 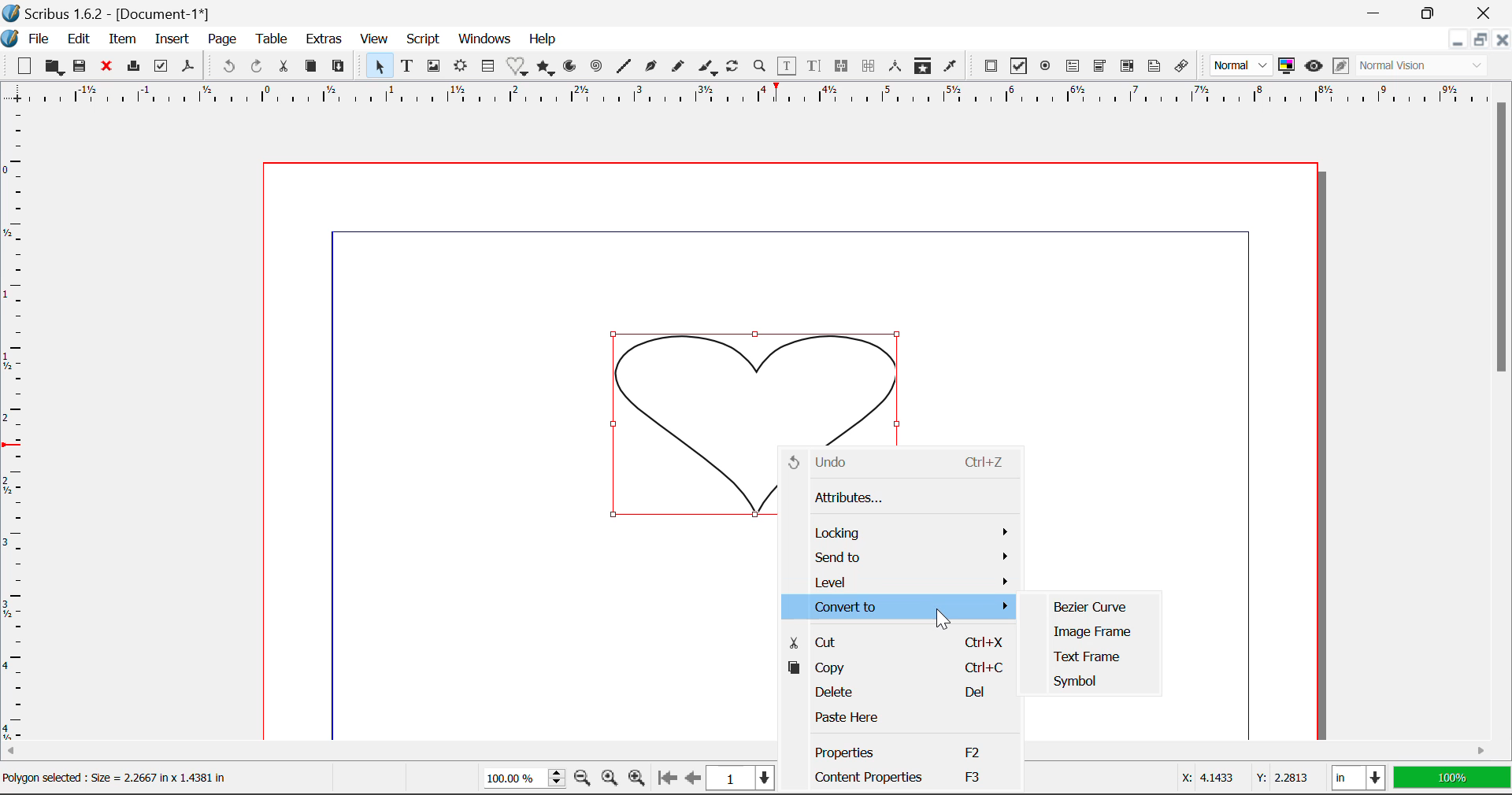 I want to click on Page, so click(x=224, y=39).